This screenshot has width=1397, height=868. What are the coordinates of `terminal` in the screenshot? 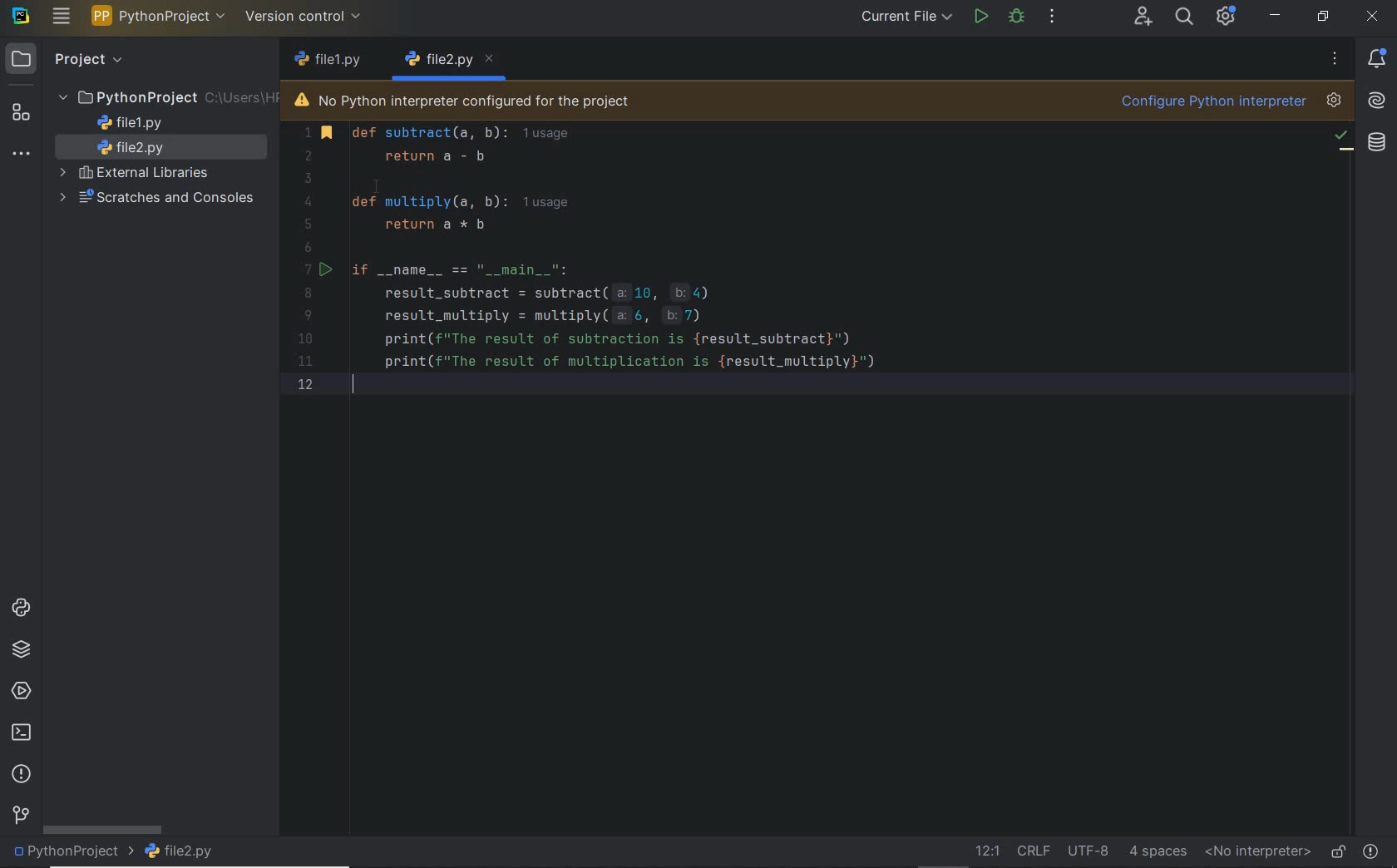 It's located at (20, 734).